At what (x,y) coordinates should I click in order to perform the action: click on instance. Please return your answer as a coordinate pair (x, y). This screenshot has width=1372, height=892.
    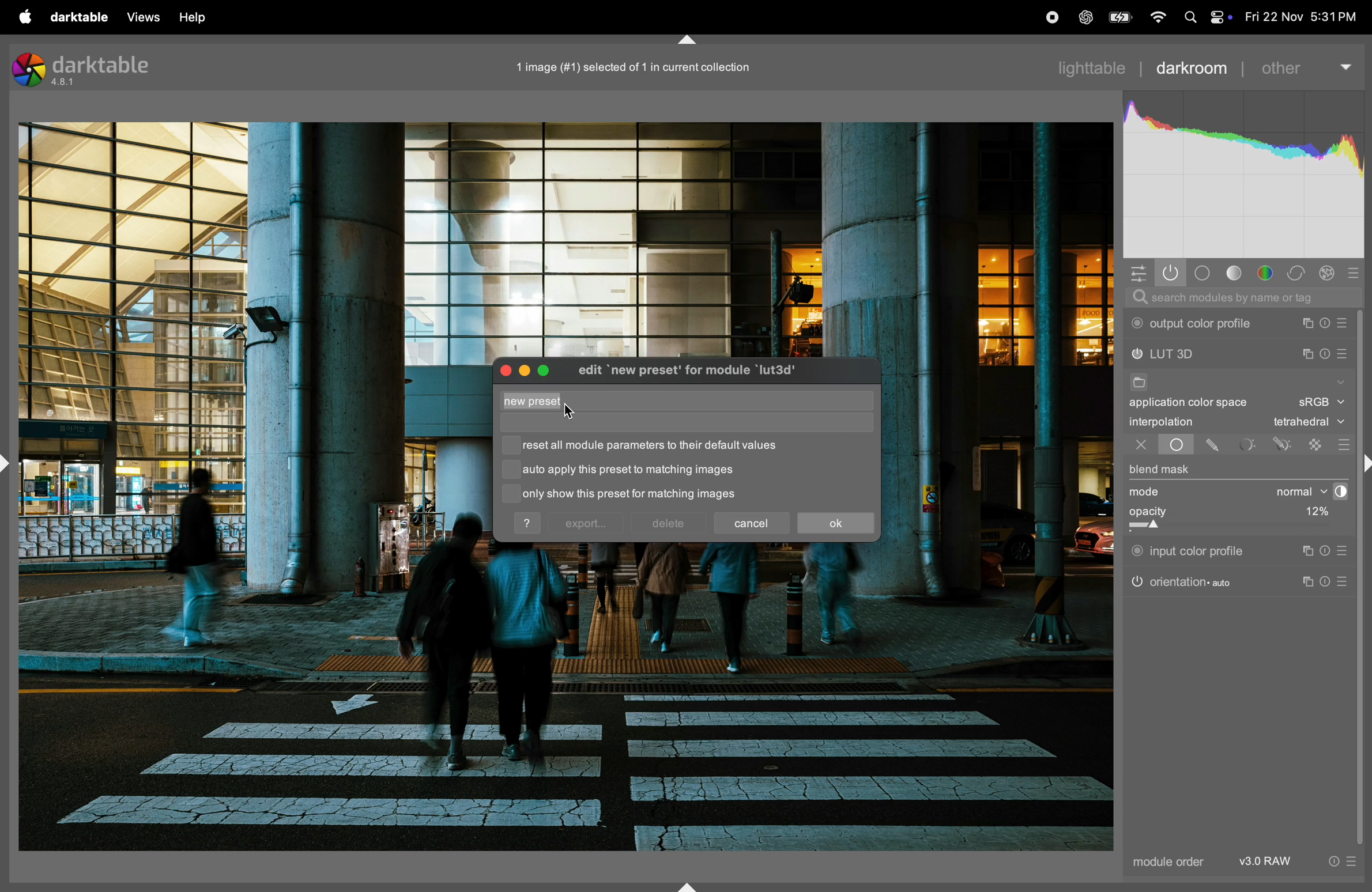
    Looking at the image, I should click on (1310, 583).